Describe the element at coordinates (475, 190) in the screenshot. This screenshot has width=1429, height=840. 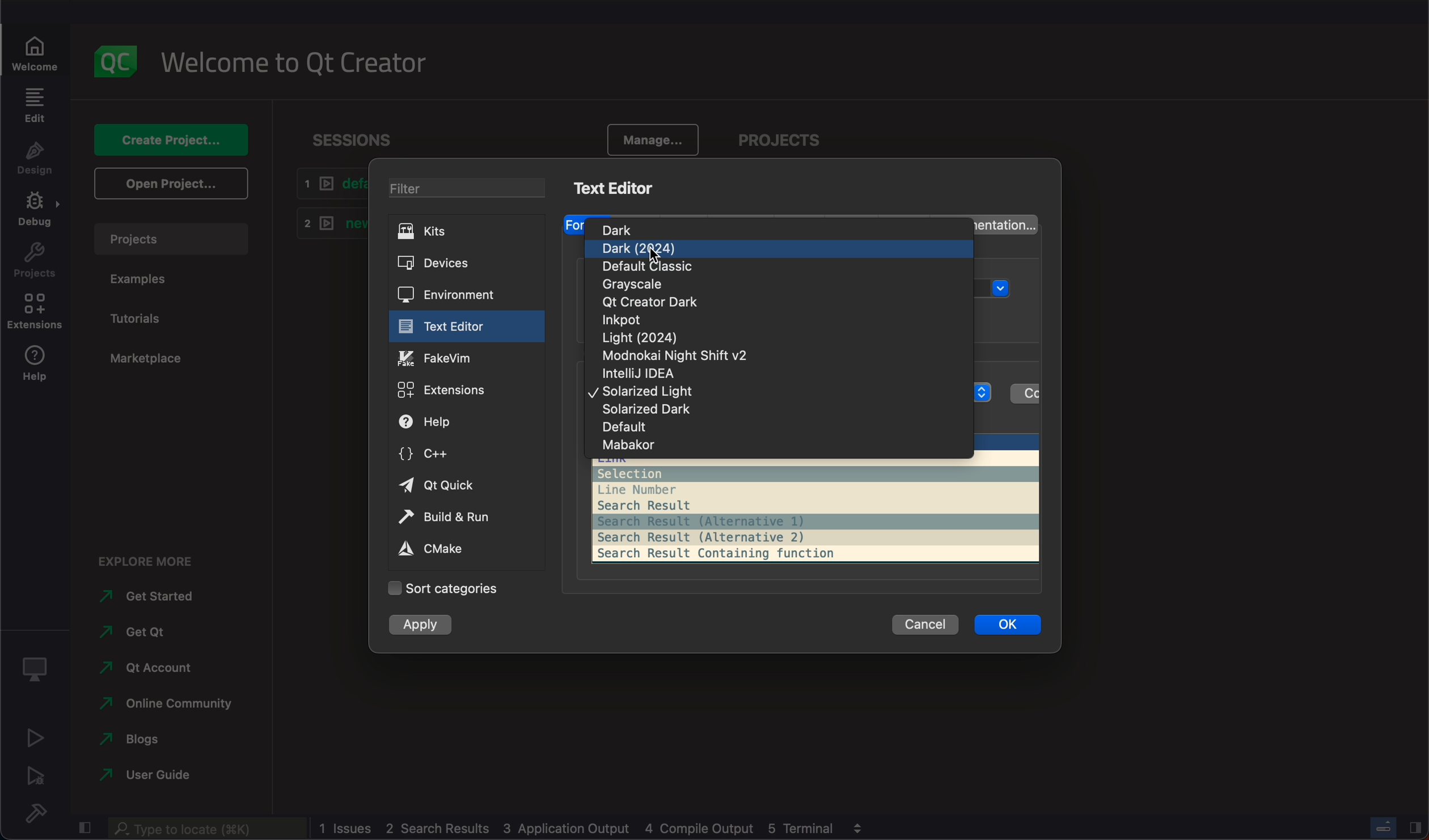
I see `filter` at that location.